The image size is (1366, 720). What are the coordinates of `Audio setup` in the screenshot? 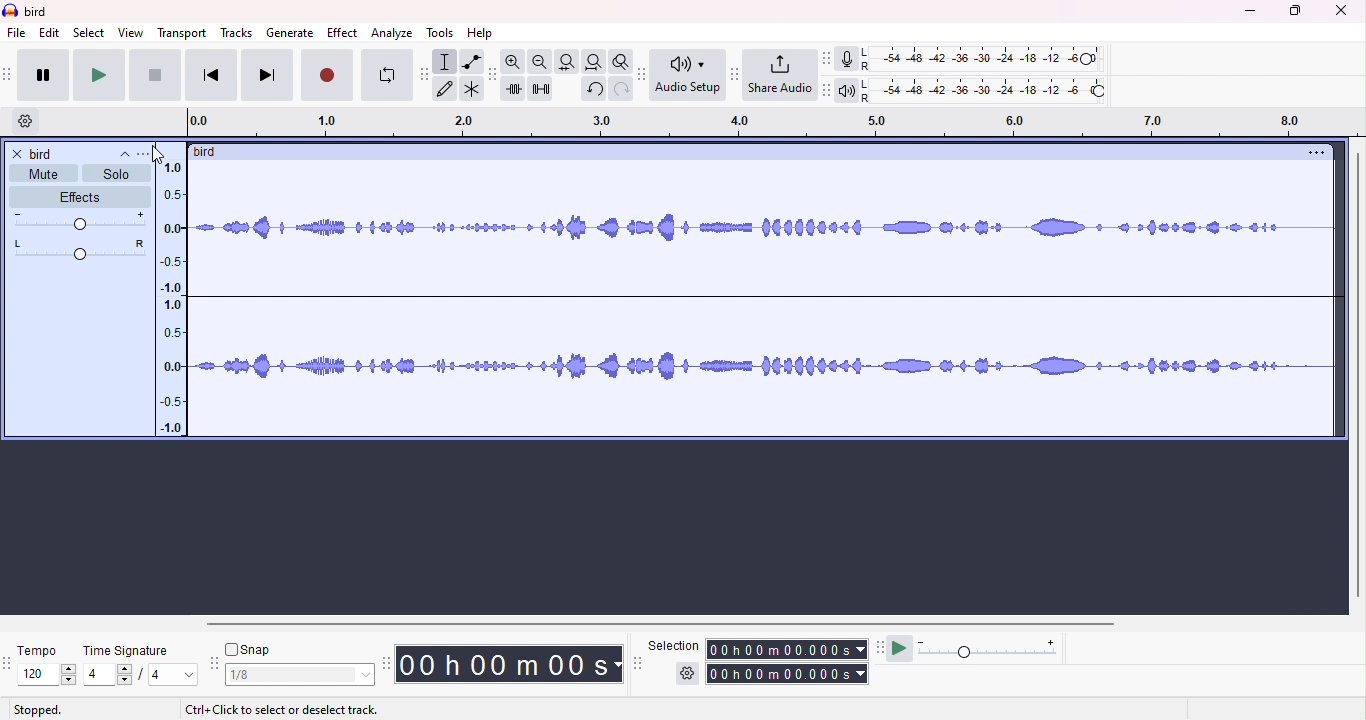 It's located at (689, 73).